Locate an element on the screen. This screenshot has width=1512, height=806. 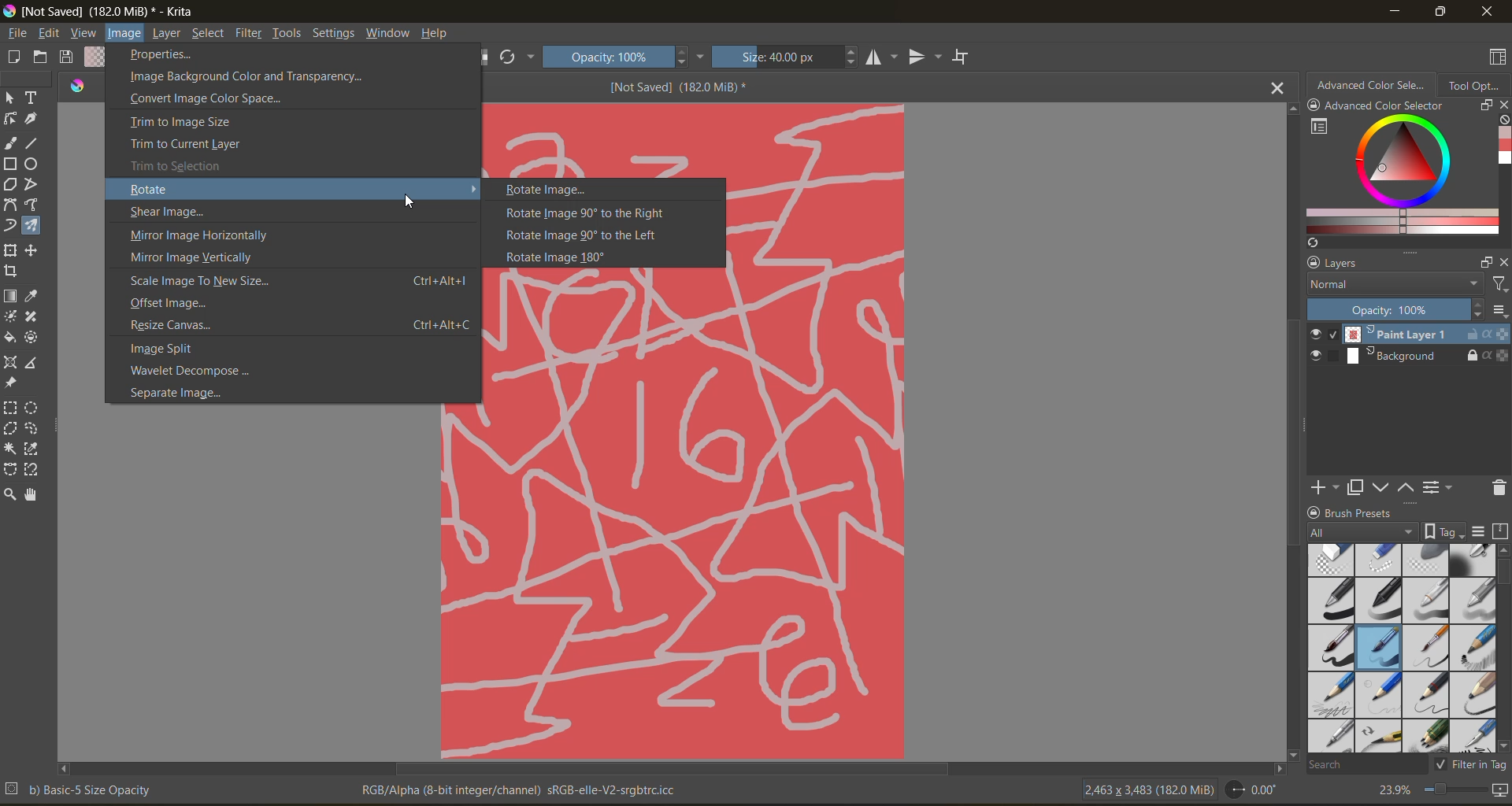
image is located at coordinates (124, 34).